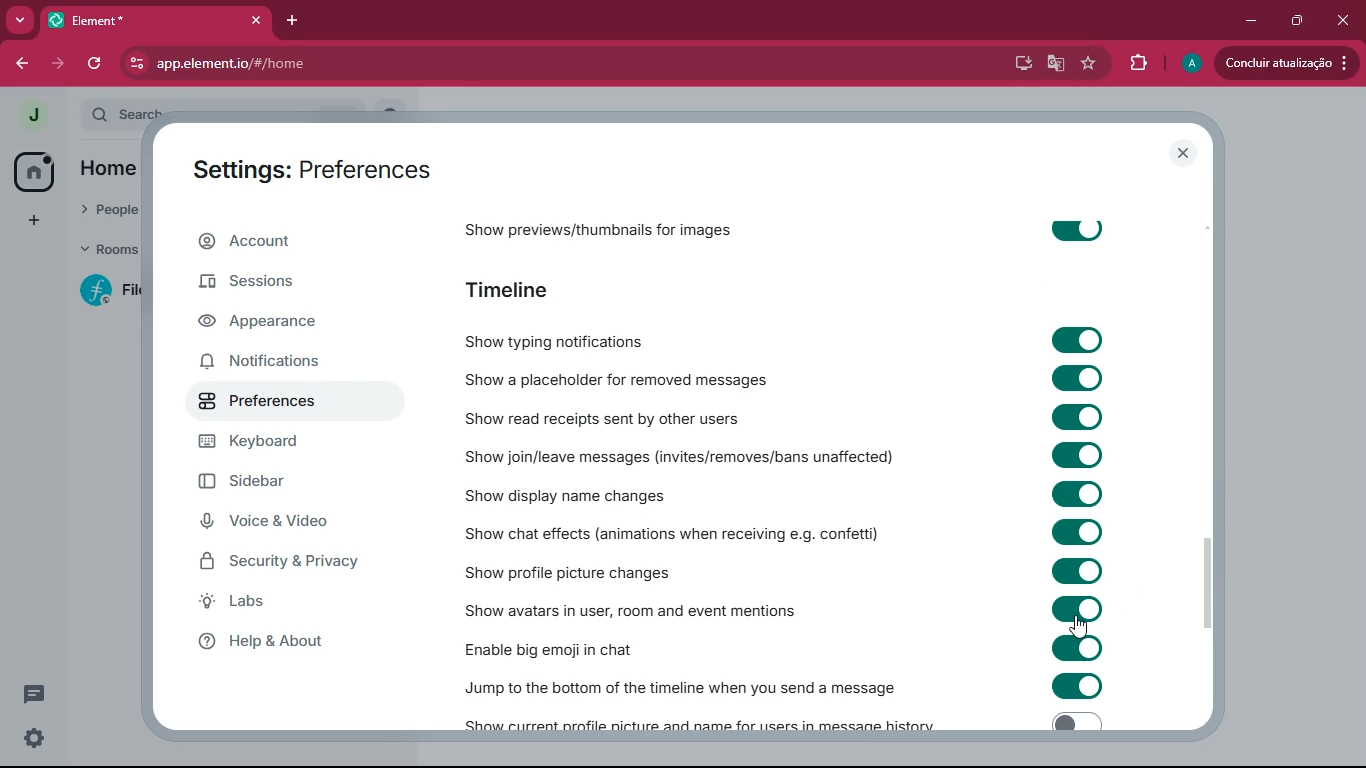 The width and height of the screenshot is (1366, 768). Describe the element at coordinates (705, 722) in the screenshot. I see `show current profile picture and name for users in message history` at that location.